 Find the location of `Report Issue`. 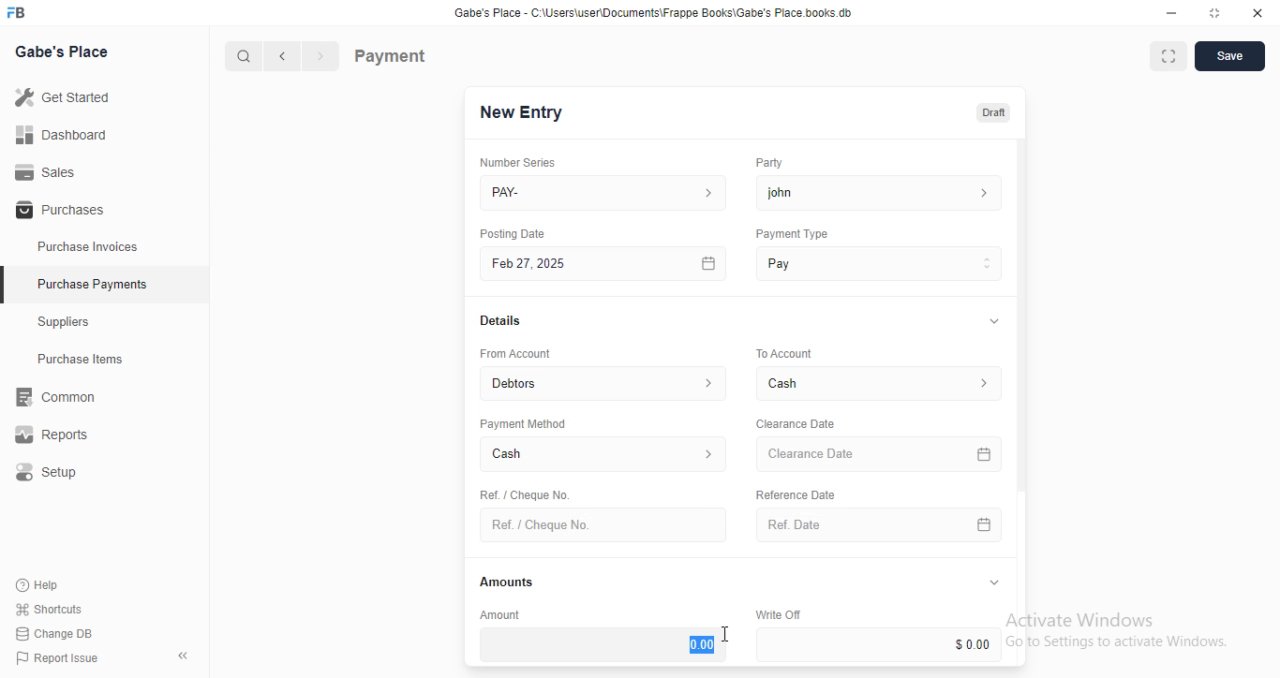

Report Issue is located at coordinates (52, 658).